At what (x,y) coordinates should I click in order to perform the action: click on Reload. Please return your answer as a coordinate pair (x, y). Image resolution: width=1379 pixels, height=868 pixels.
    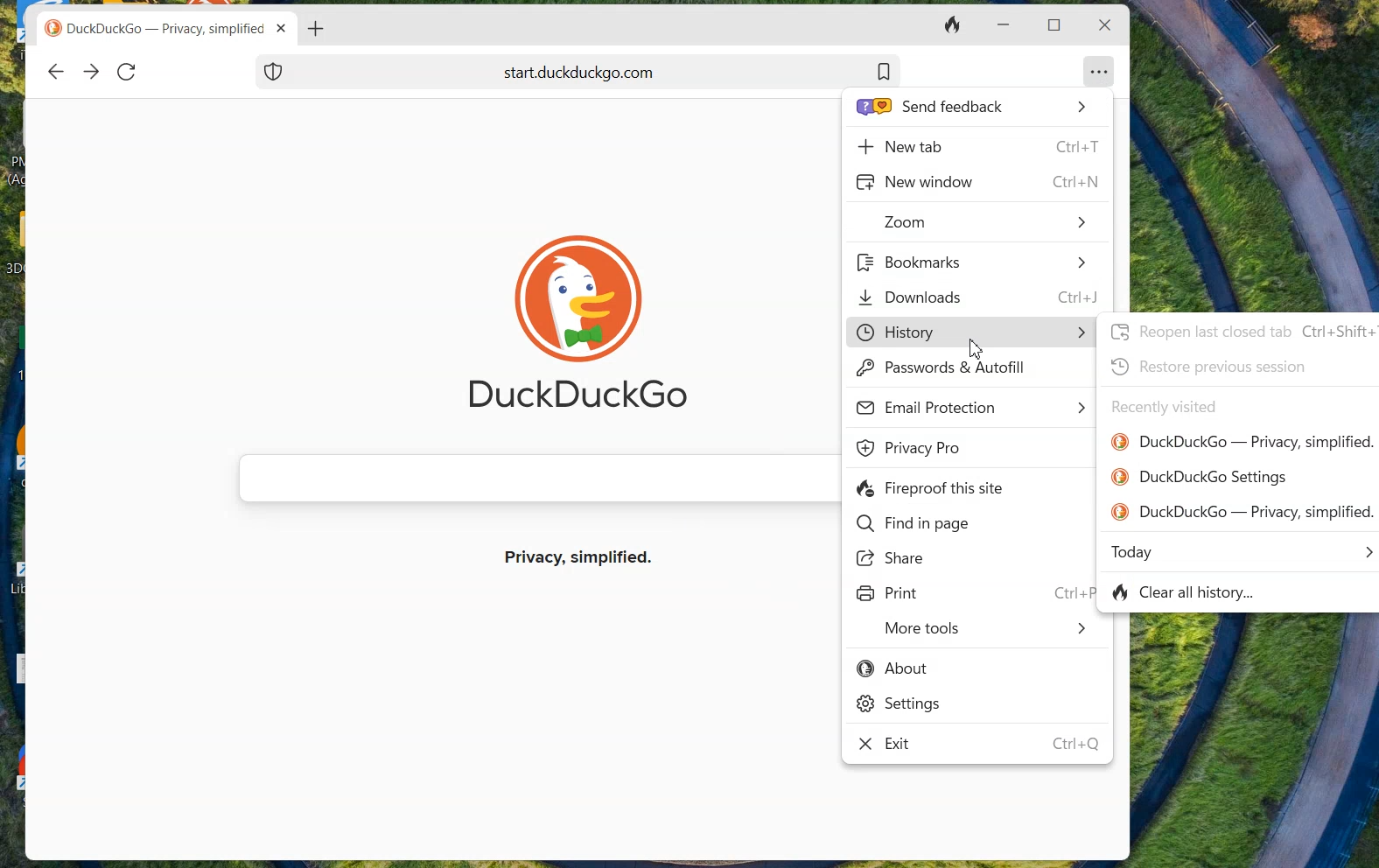
    Looking at the image, I should click on (127, 71).